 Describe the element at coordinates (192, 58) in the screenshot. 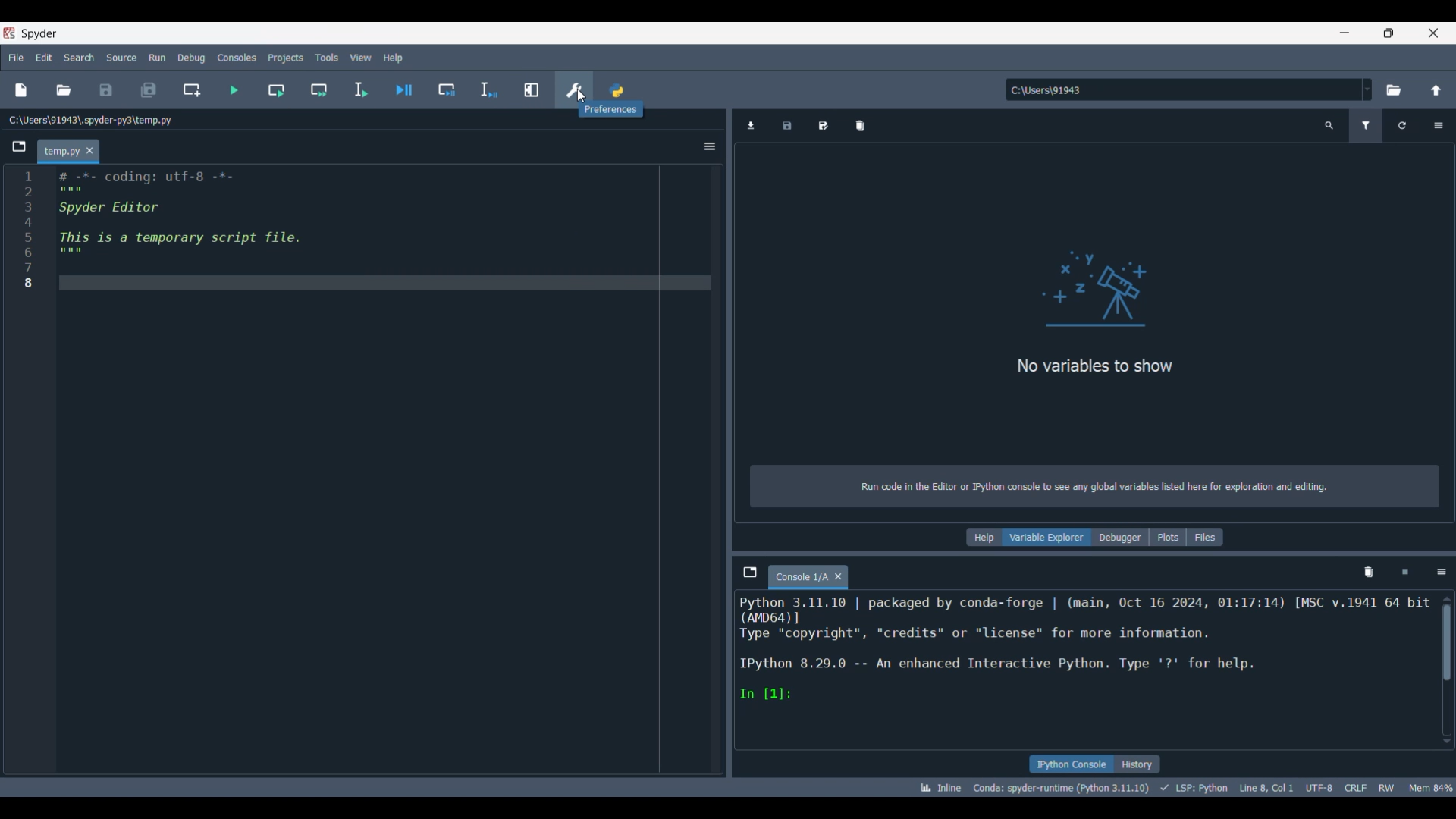

I see `Debug menu` at that location.